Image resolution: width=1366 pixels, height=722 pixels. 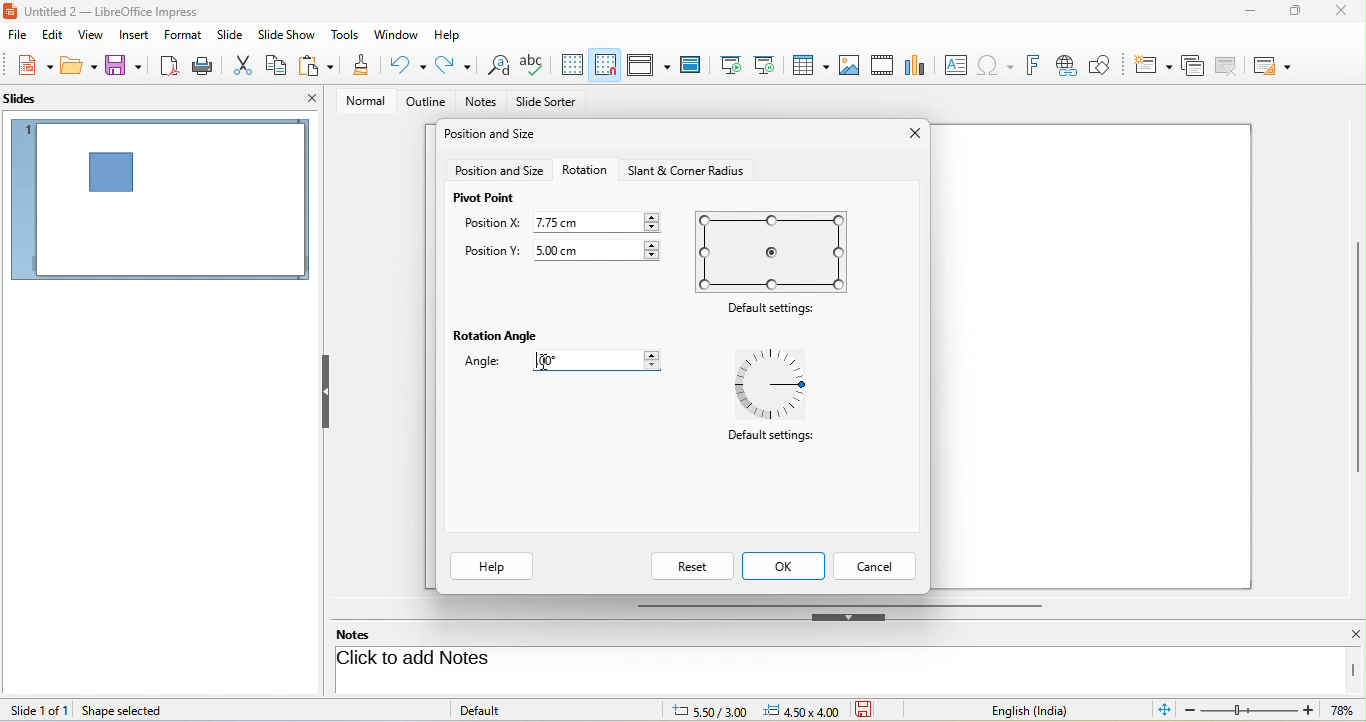 I want to click on position y, so click(x=491, y=253).